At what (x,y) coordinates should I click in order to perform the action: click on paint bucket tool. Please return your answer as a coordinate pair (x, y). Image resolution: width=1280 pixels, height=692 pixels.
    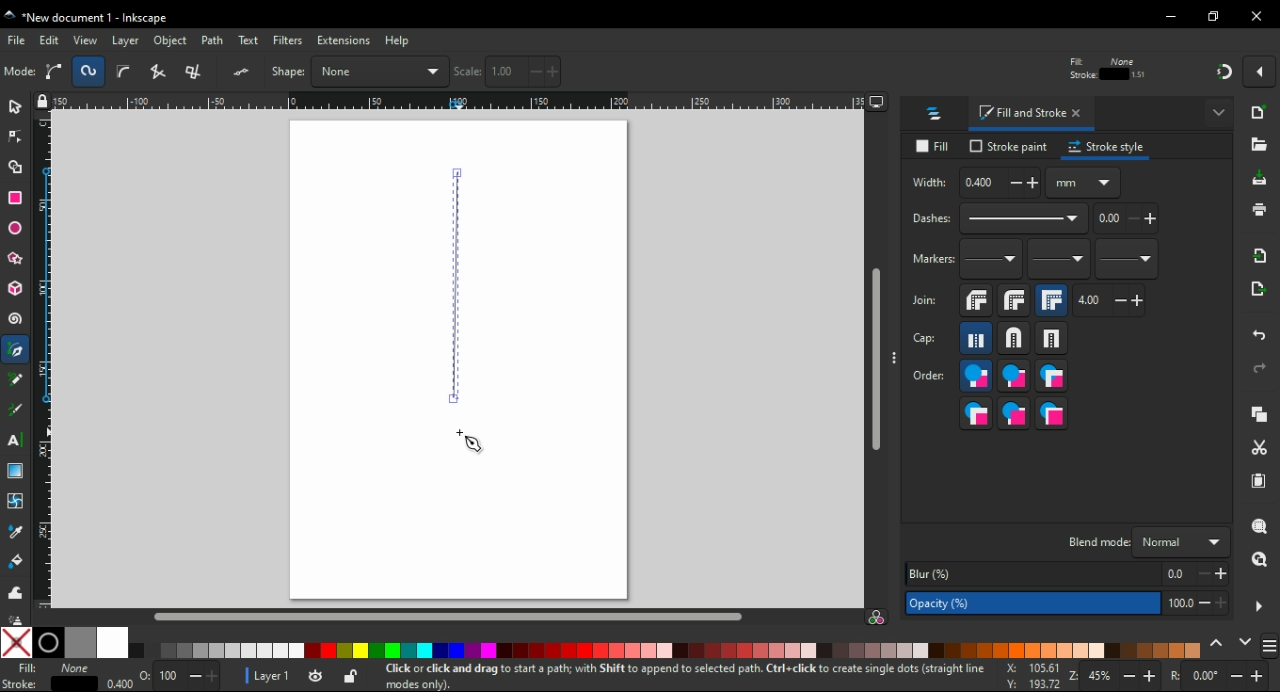
    Looking at the image, I should click on (19, 561).